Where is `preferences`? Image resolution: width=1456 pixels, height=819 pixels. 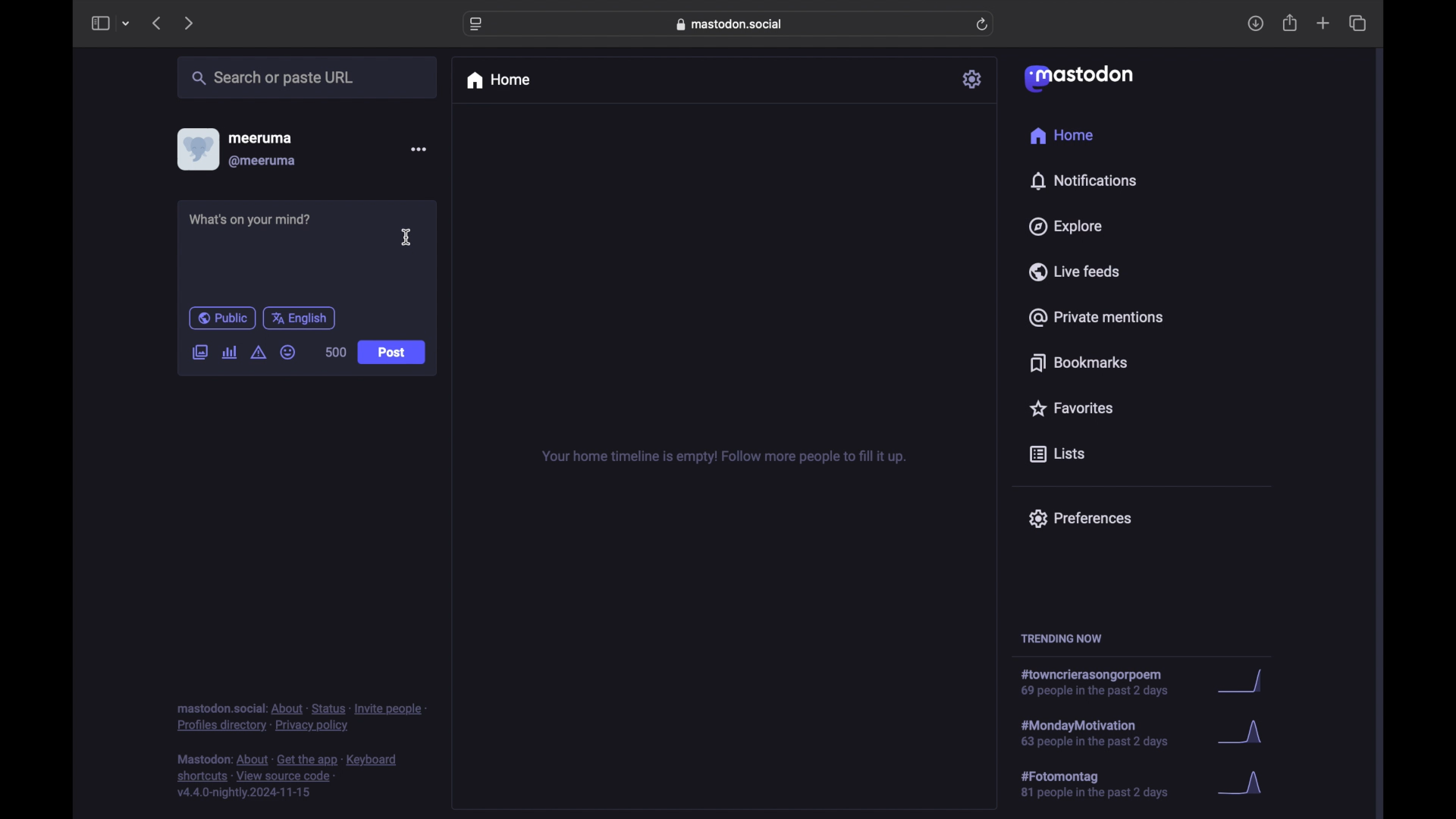
preferences is located at coordinates (1079, 517).